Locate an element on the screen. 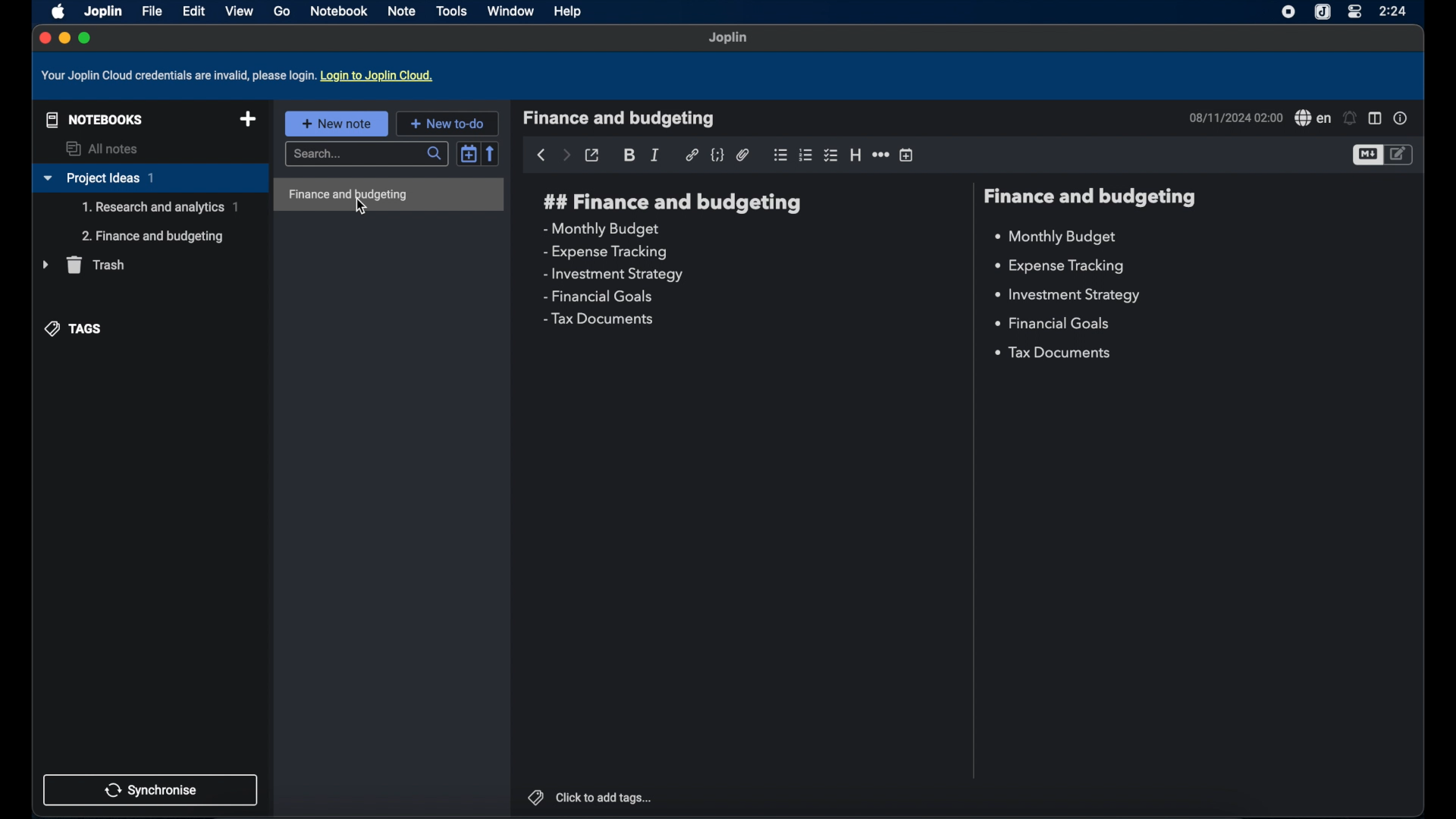 Image resolution: width=1456 pixels, height=819 pixels. control center is located at coordinates (1354, 12).